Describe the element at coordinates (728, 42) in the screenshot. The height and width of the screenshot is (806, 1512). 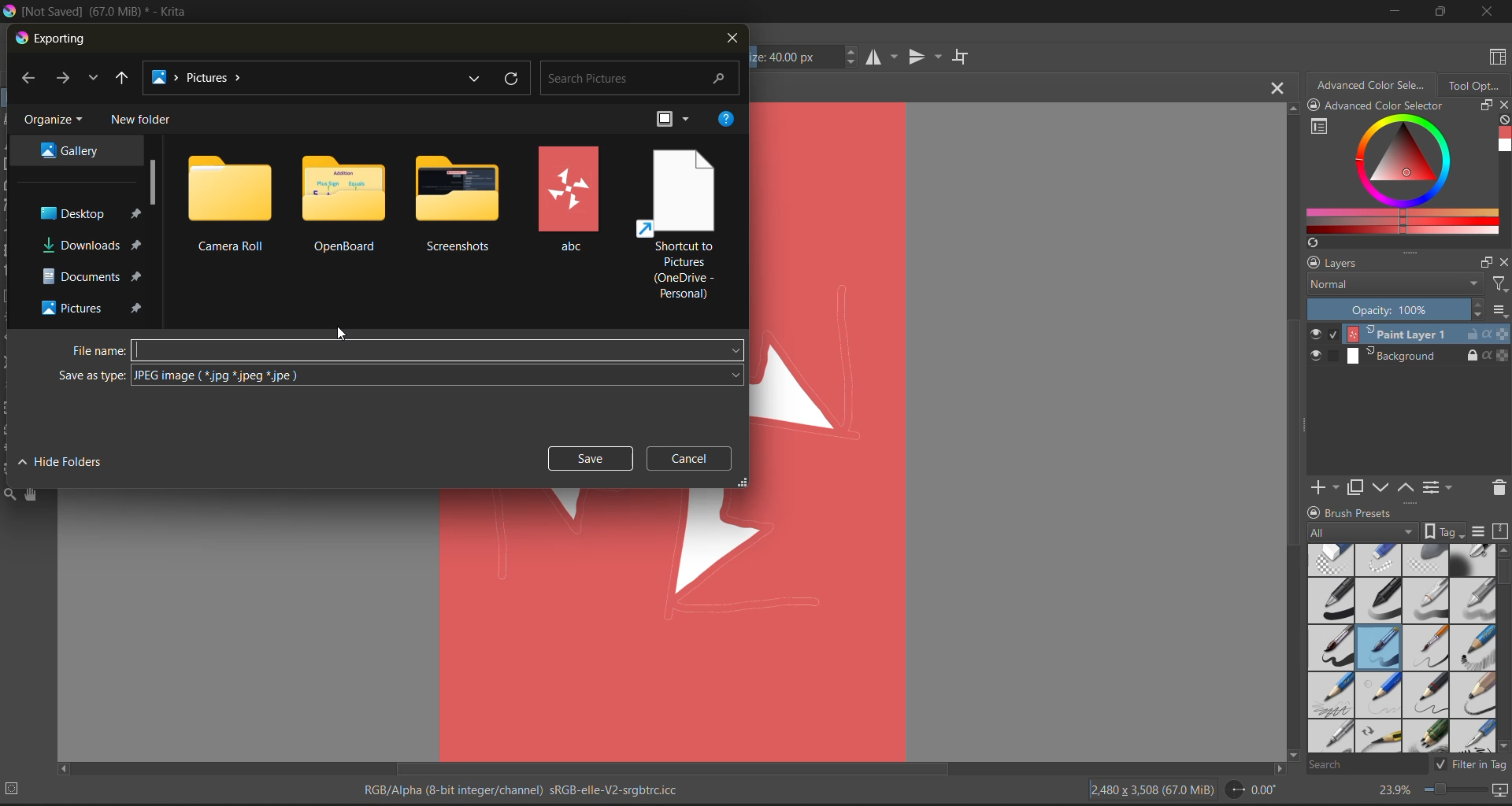
I see `close` at that location.